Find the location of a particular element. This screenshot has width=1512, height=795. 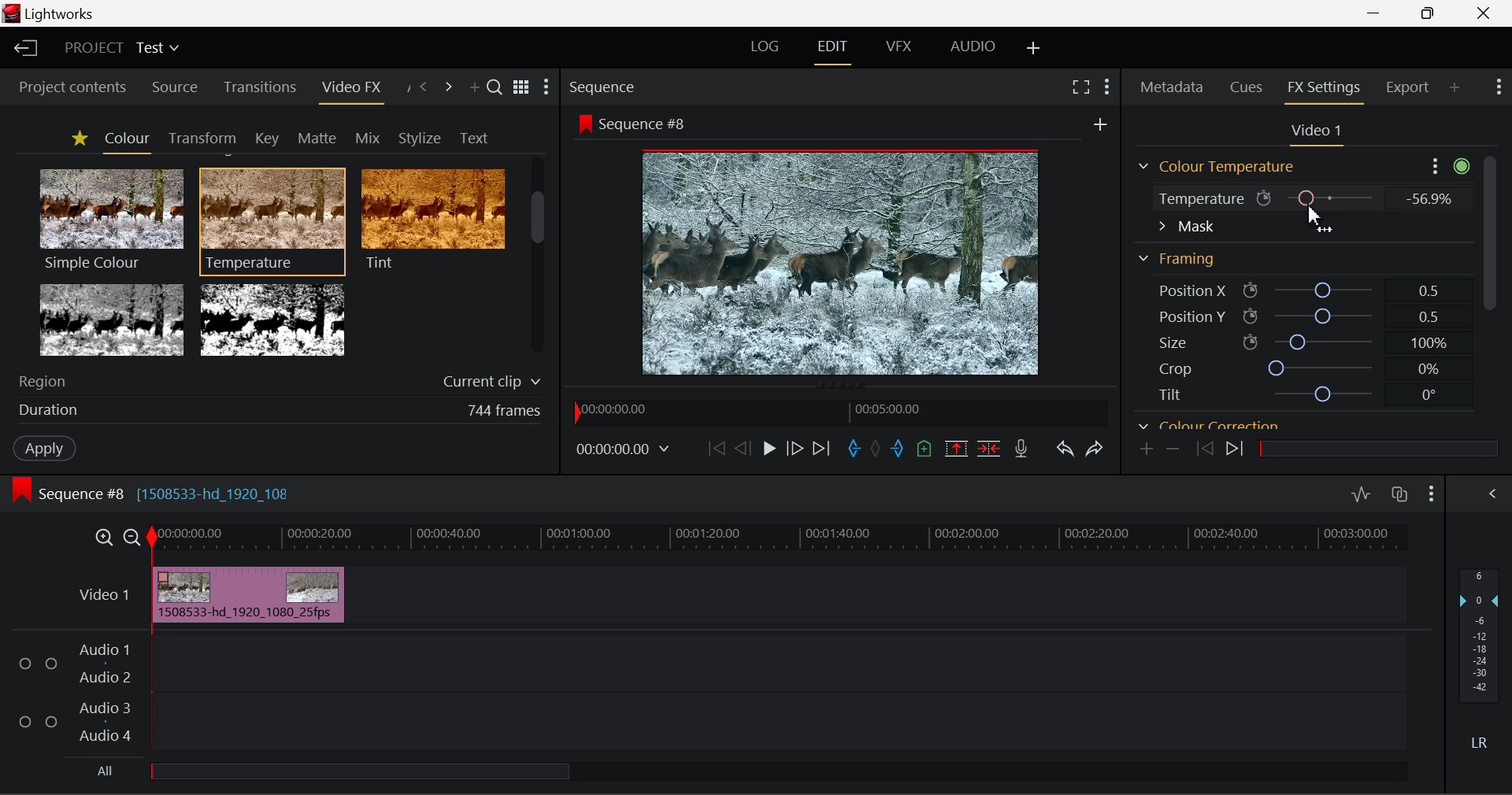

Apply is located at coordinates (36, 447).